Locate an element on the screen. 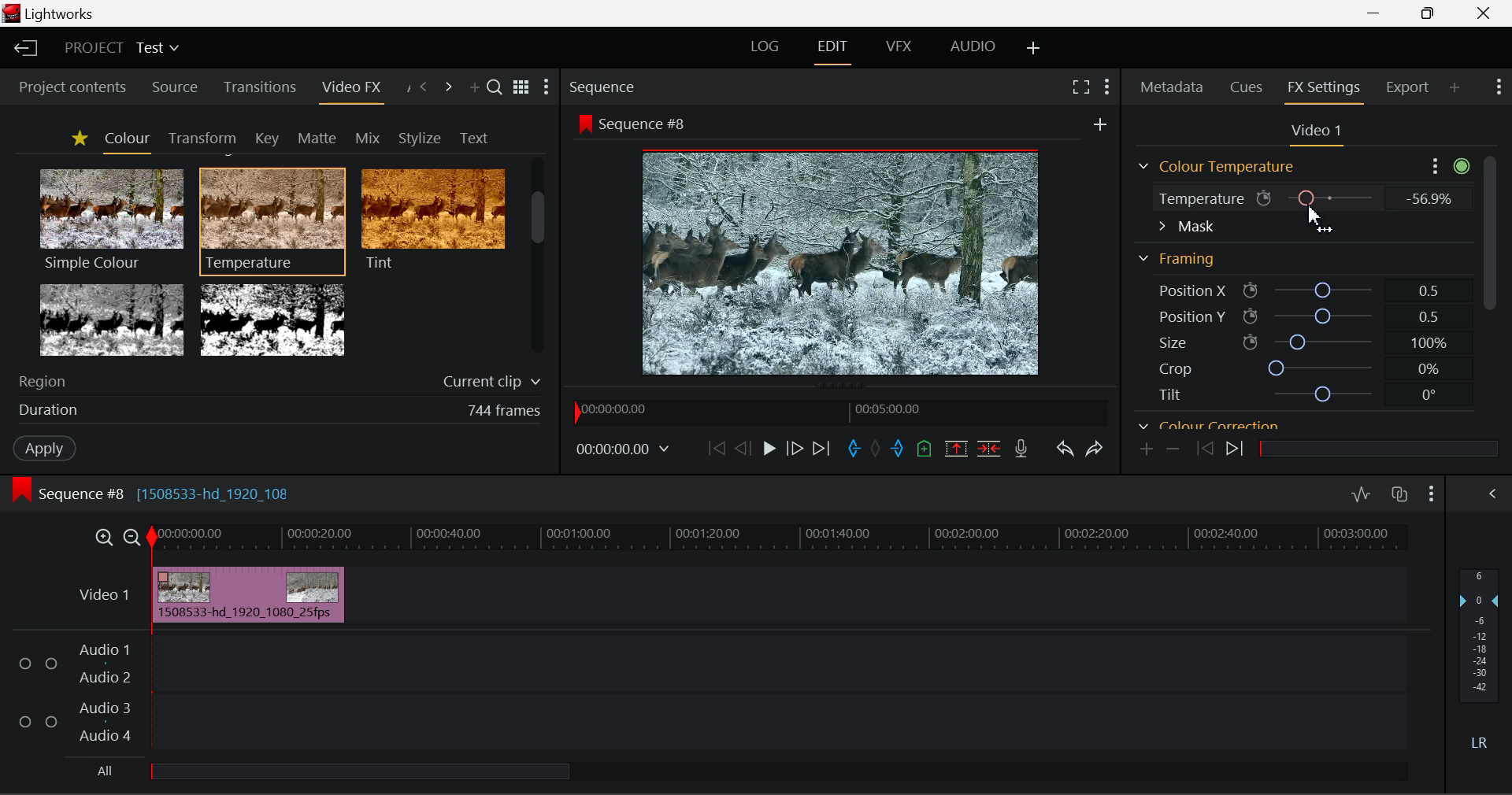 The height and width of the screenshot is (795, 1512). Colour is located at coordinates (124, 139).